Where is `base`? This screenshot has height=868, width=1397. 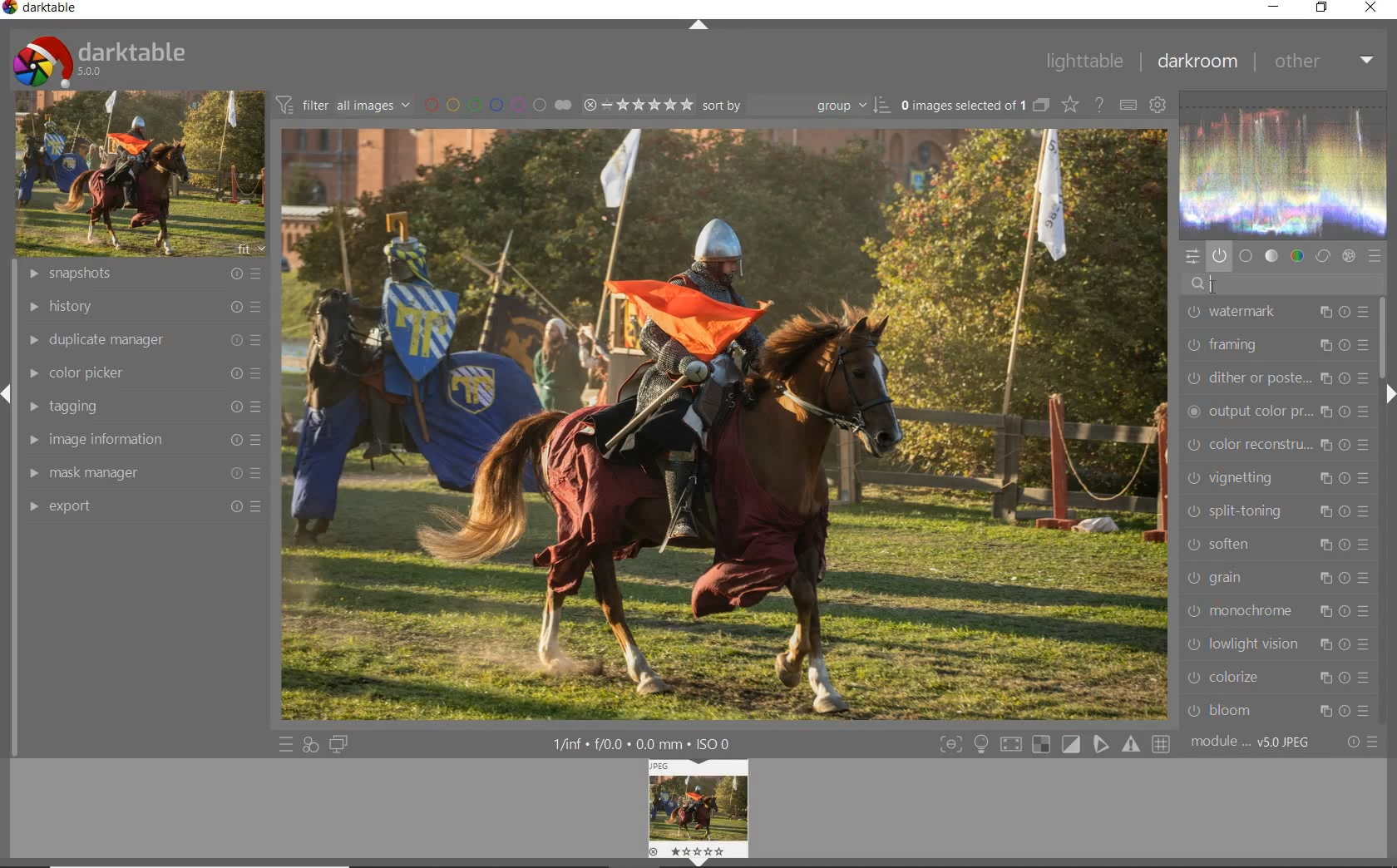 base is located at coordinates (1246, 255).